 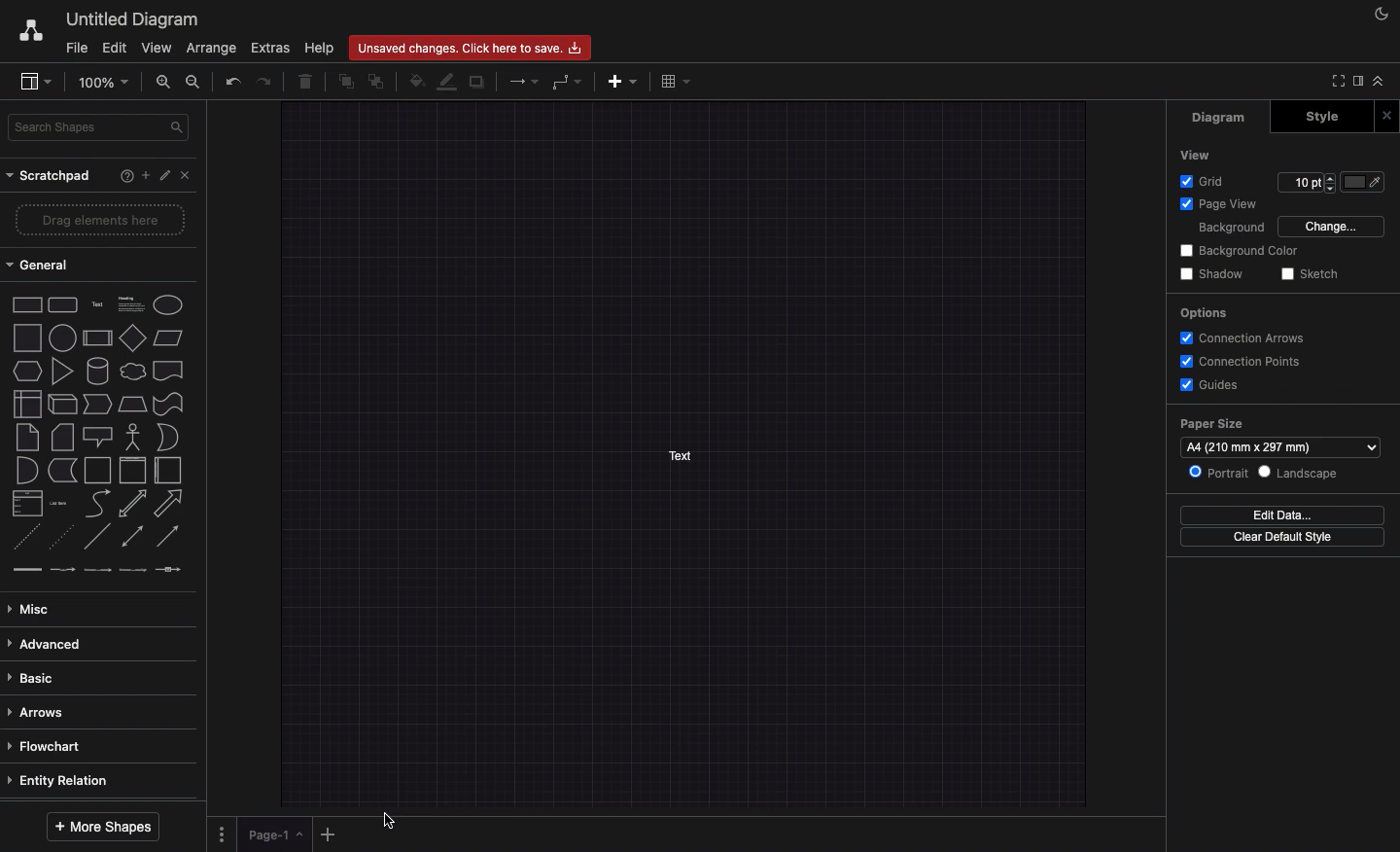 I want to click on Drag elements here, so click(x=100, y=217).